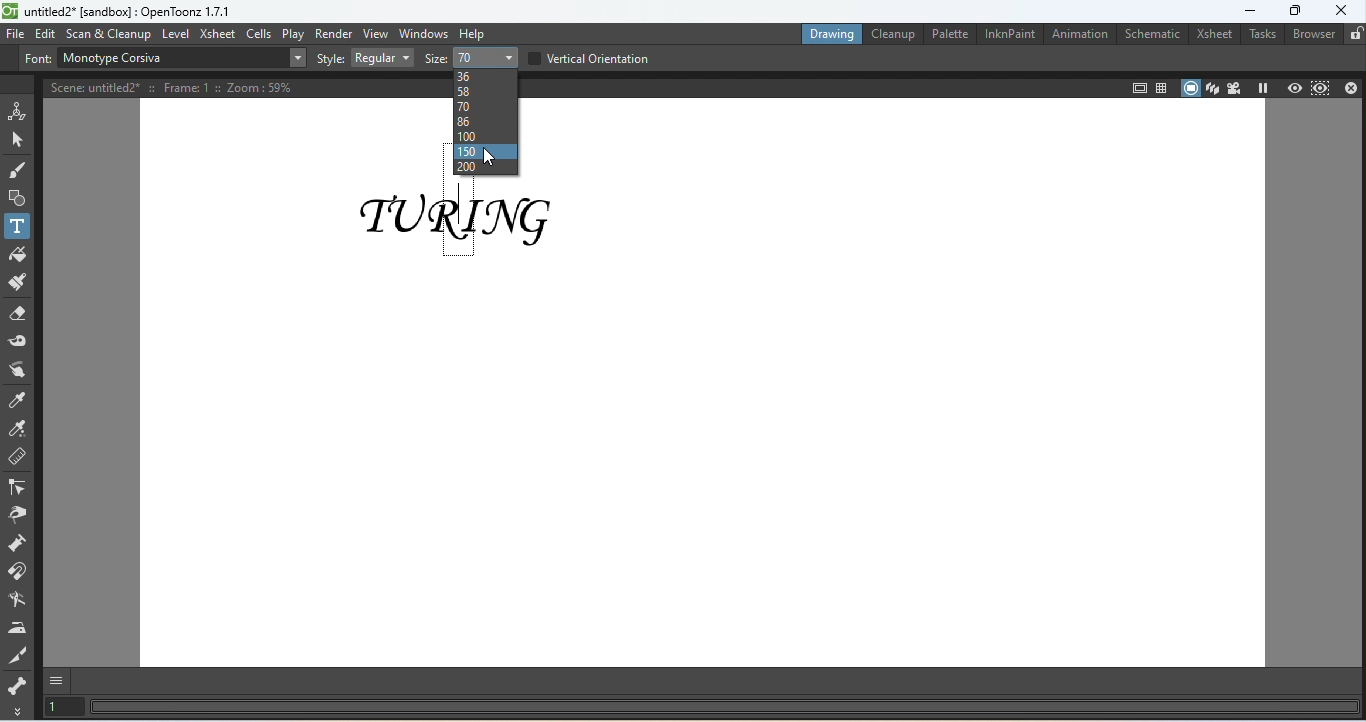  I want to click on Lock rooms tab, so click(1354, 35).